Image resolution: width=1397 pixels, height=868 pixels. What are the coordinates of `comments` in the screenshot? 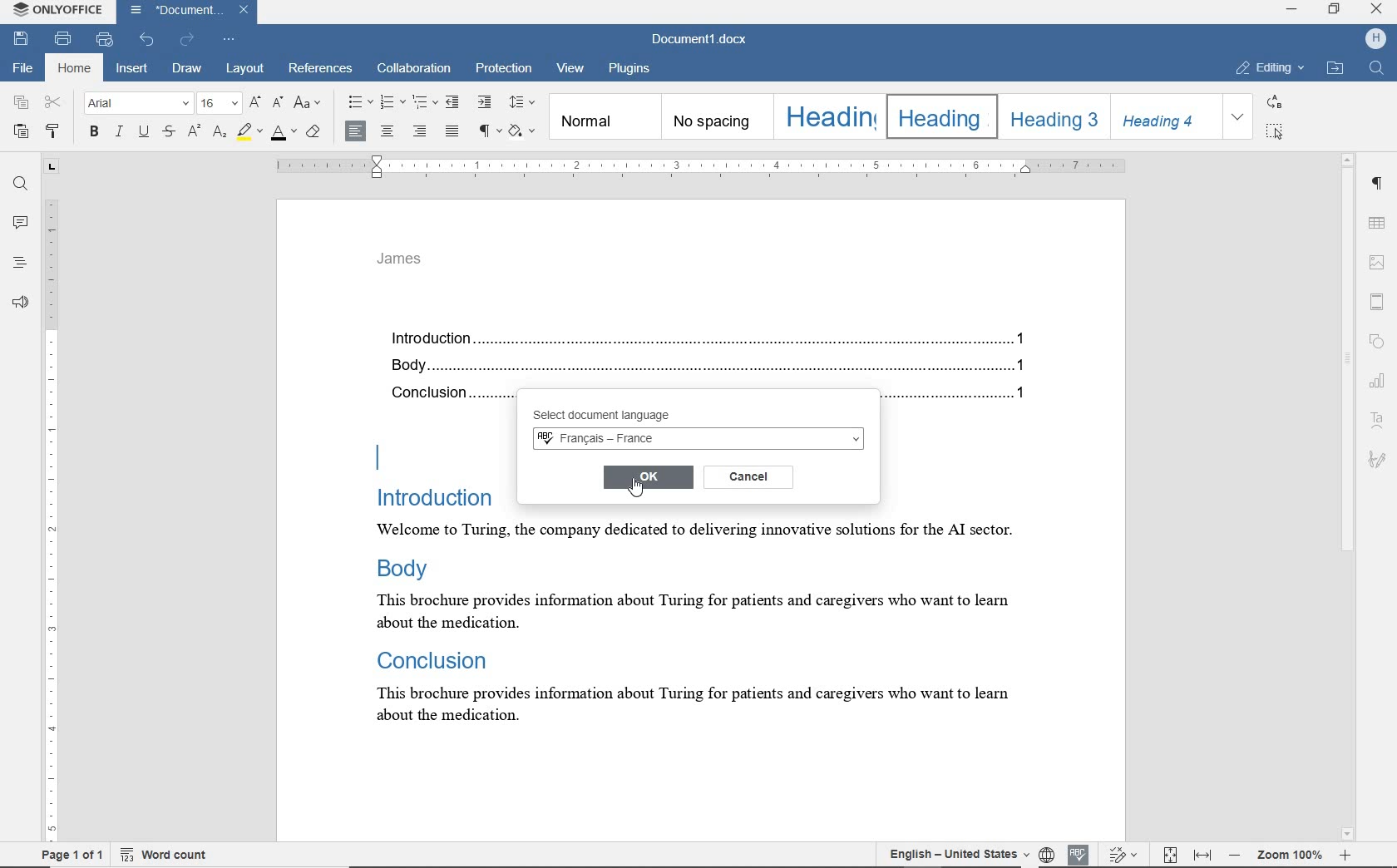 It's located at (19, 223).